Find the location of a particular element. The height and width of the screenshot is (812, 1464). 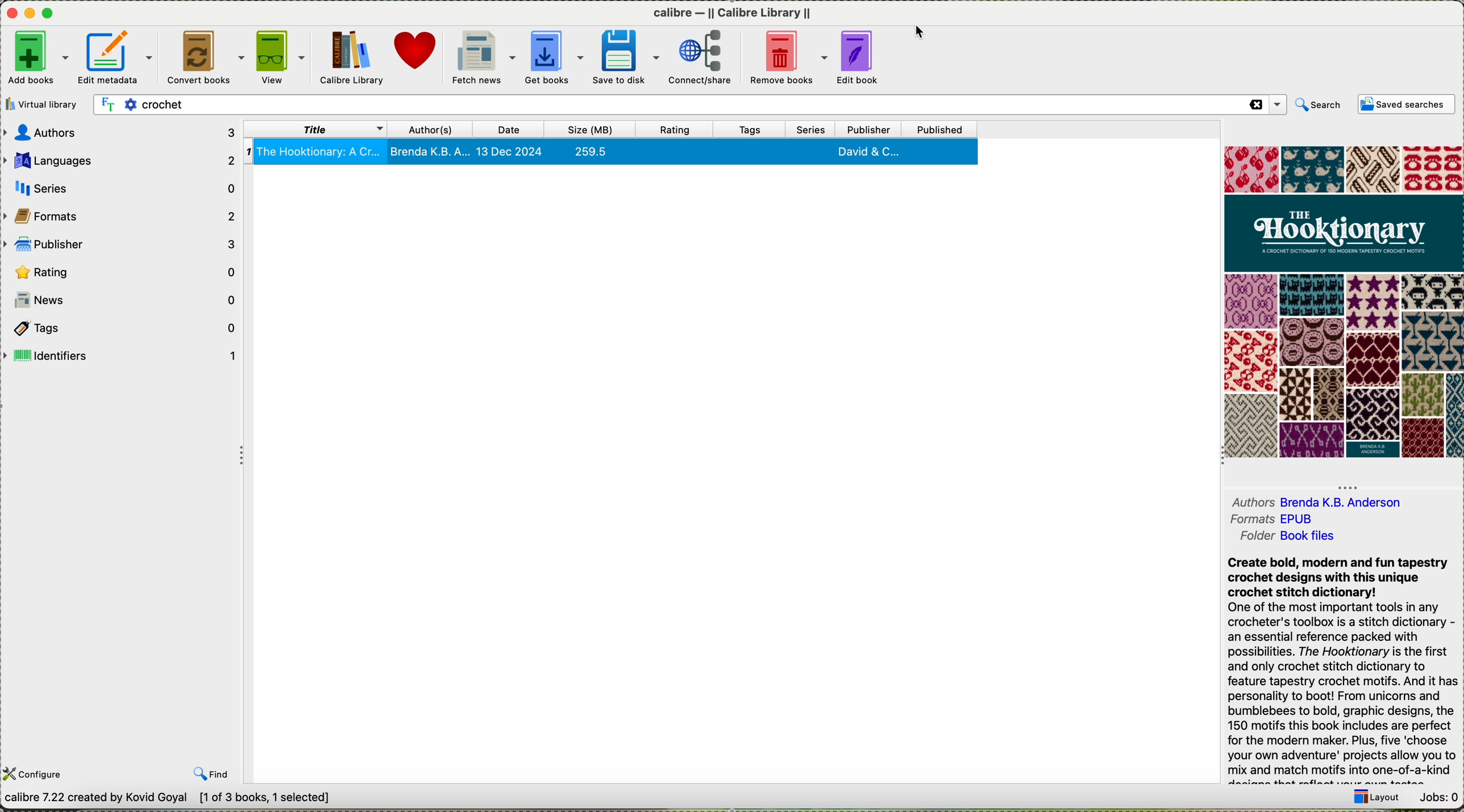

Create bold, modern and fun tapestry crochet designs with this uniquecrochet stitch dictionary! is located at coordinates (1340, 577).